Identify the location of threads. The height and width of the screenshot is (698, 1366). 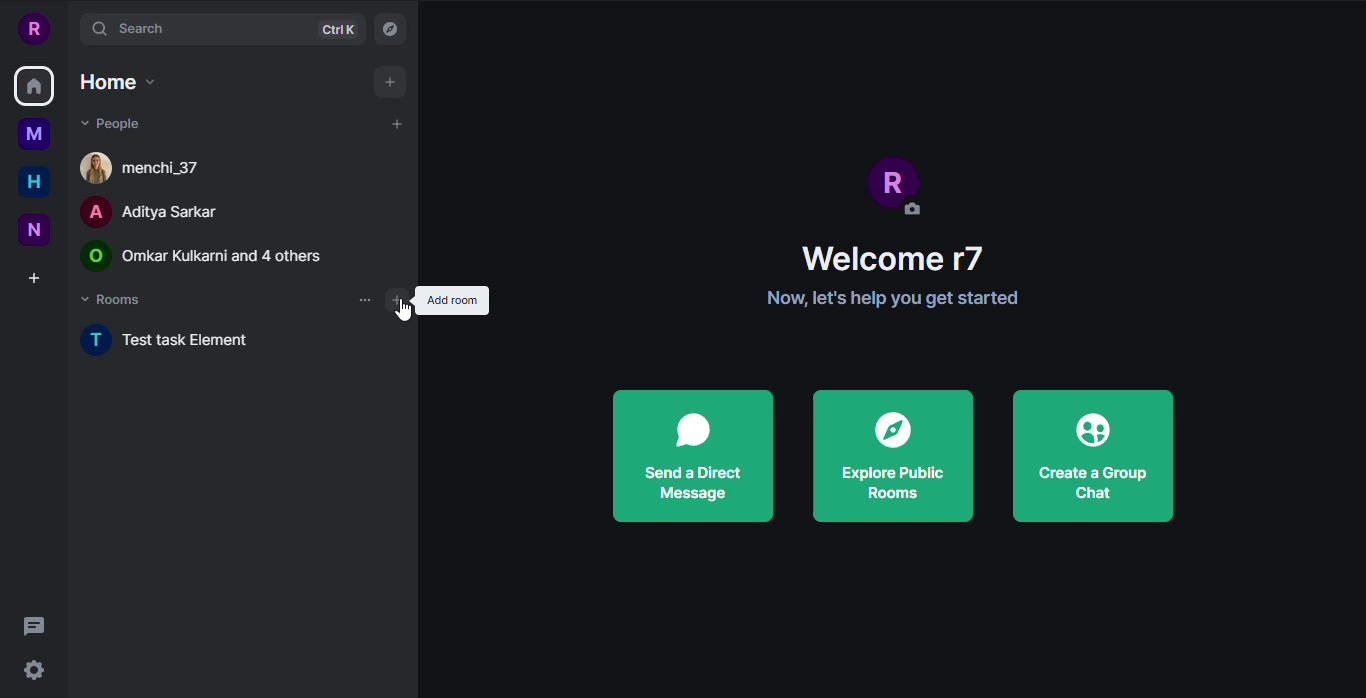
(39, 626).